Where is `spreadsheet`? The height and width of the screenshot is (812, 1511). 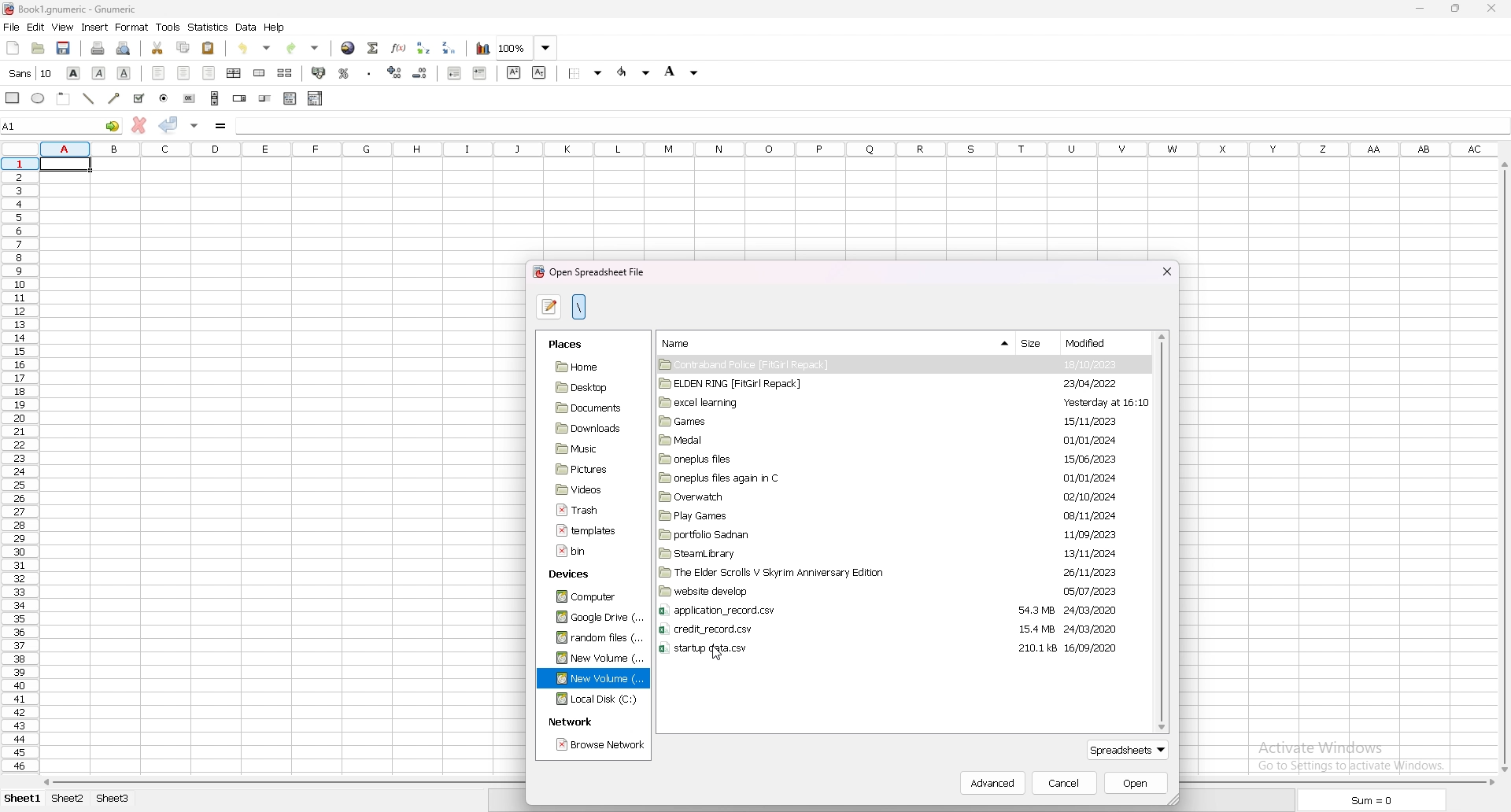
spreadsheet is located at coordinates (1131, 751).